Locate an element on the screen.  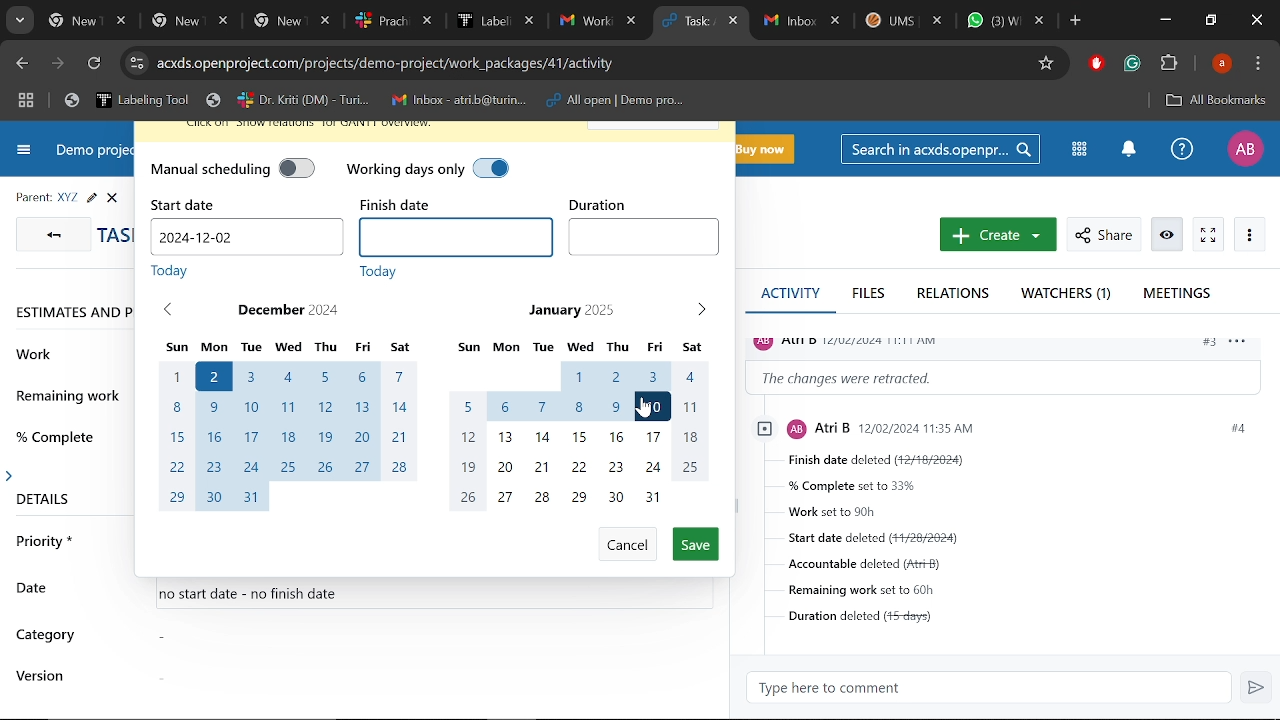
Next month is located at coordinates (699, 308).